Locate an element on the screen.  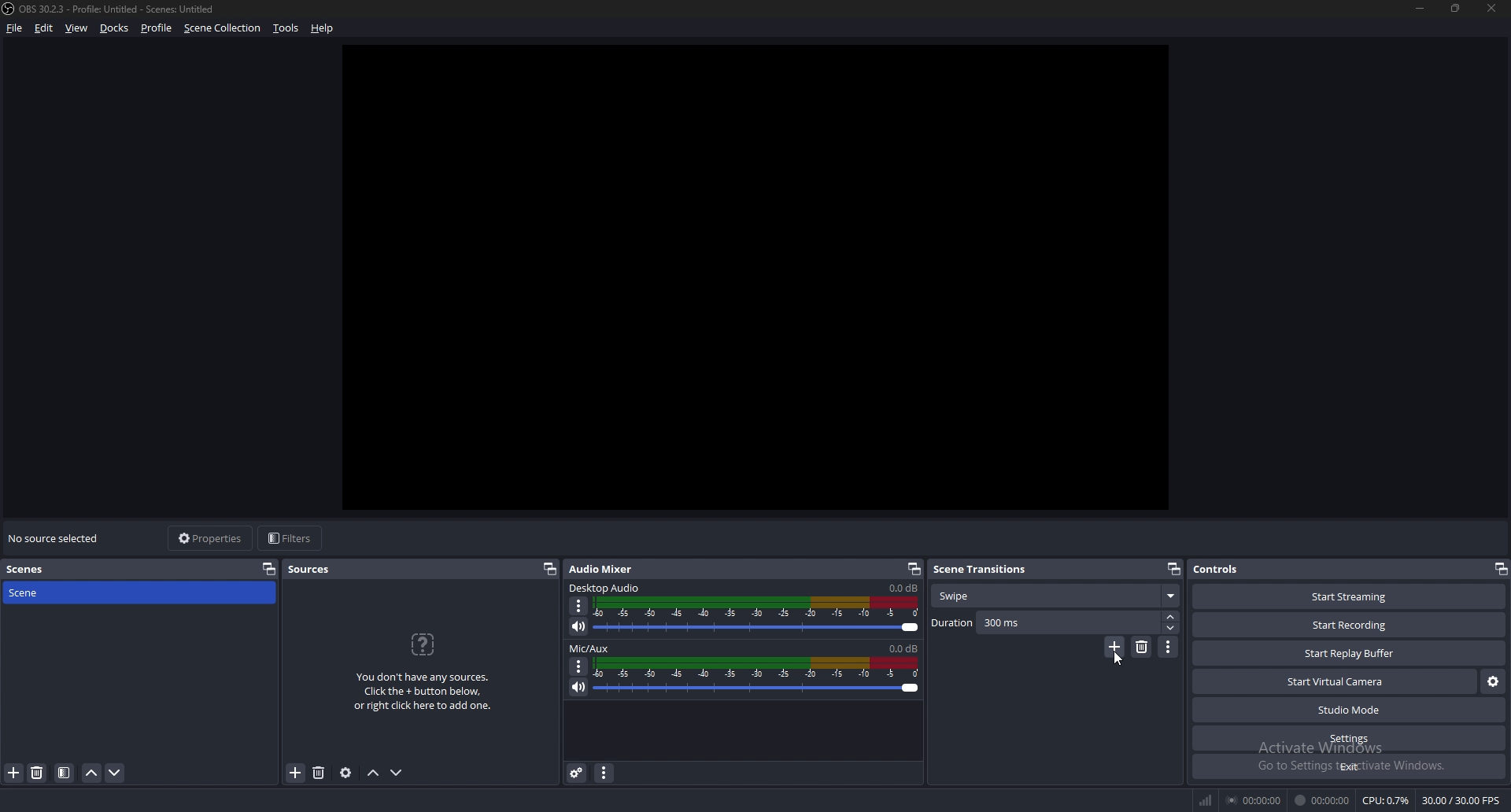
docks is located at coordinates (115, 28).